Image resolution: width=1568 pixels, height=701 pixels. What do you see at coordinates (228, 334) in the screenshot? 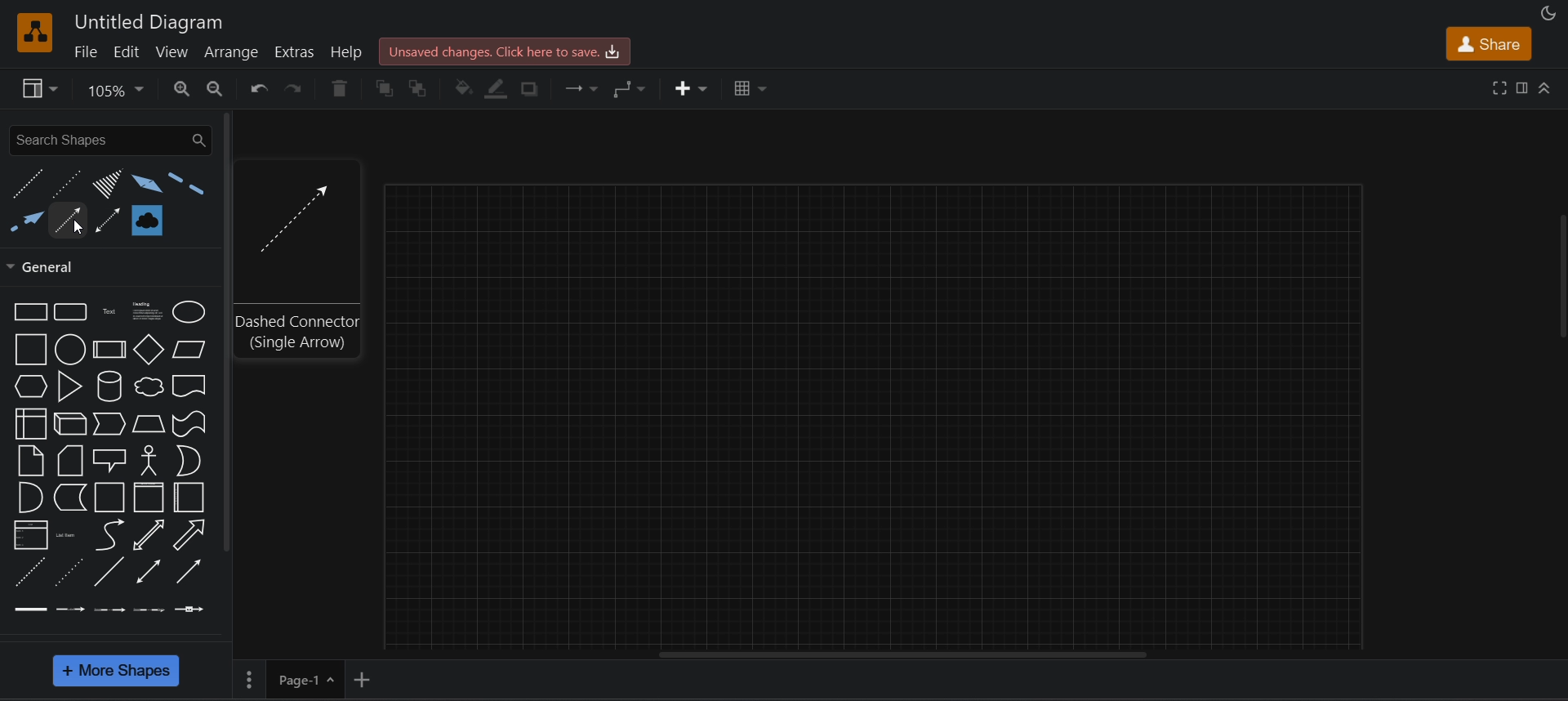
I see `vertical scroll bar` at bounding box center [228, 334].